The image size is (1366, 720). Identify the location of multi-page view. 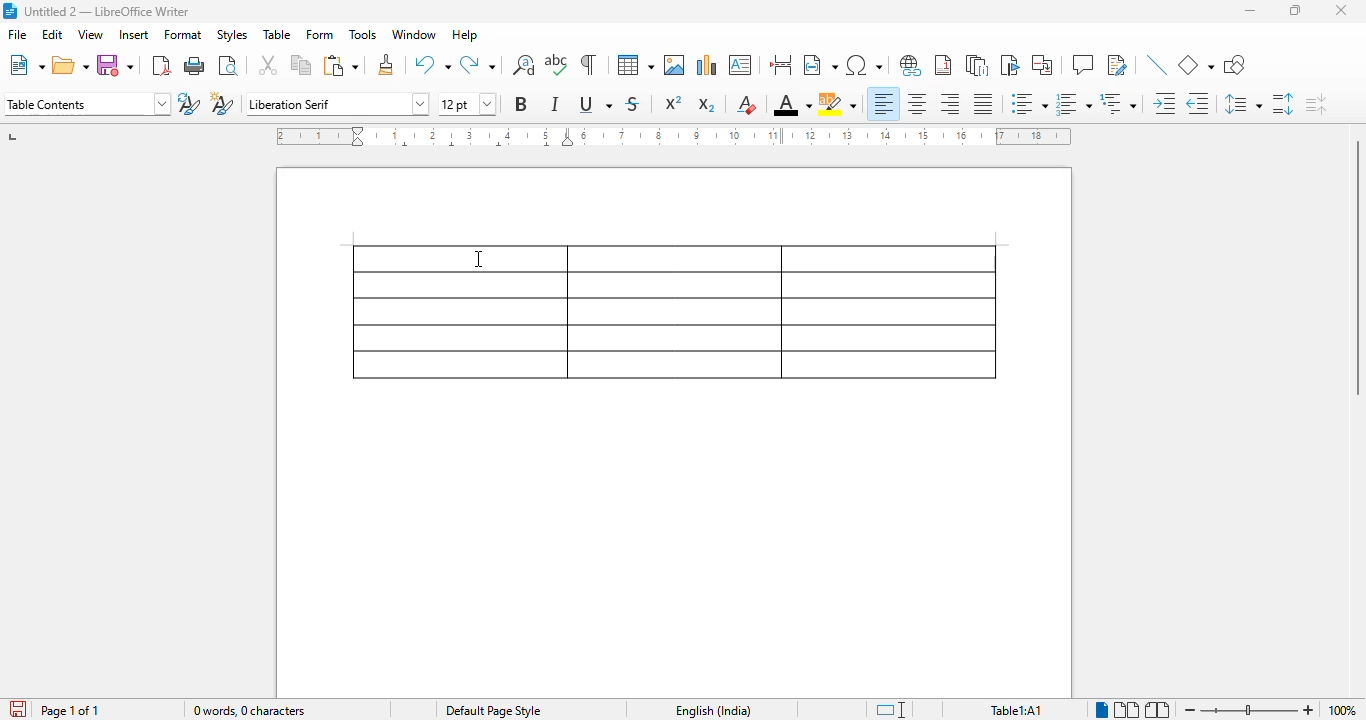
(1127, 710).